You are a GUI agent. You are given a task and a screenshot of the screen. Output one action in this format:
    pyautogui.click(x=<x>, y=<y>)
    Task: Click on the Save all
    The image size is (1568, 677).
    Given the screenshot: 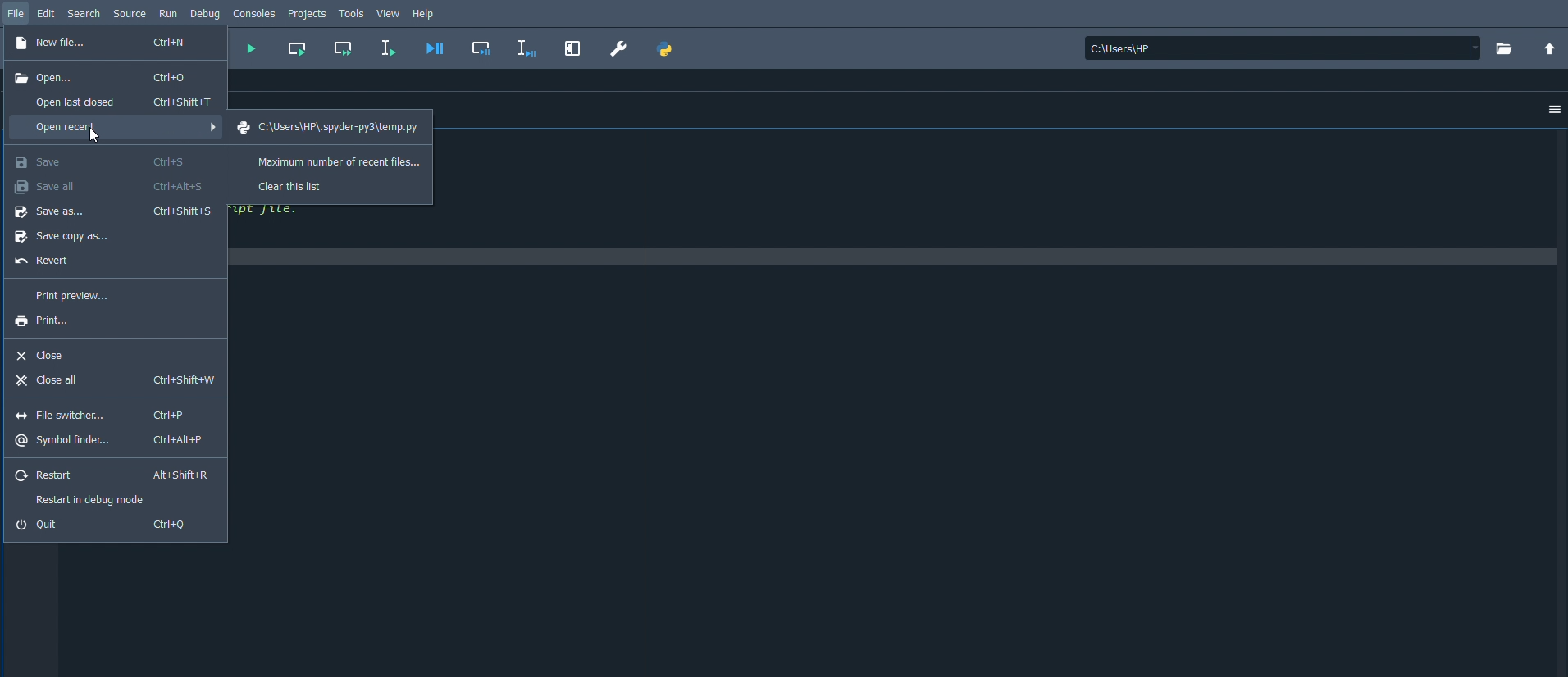 What is the action you would take?
    pyautogui.click(x=109, y=184)
    